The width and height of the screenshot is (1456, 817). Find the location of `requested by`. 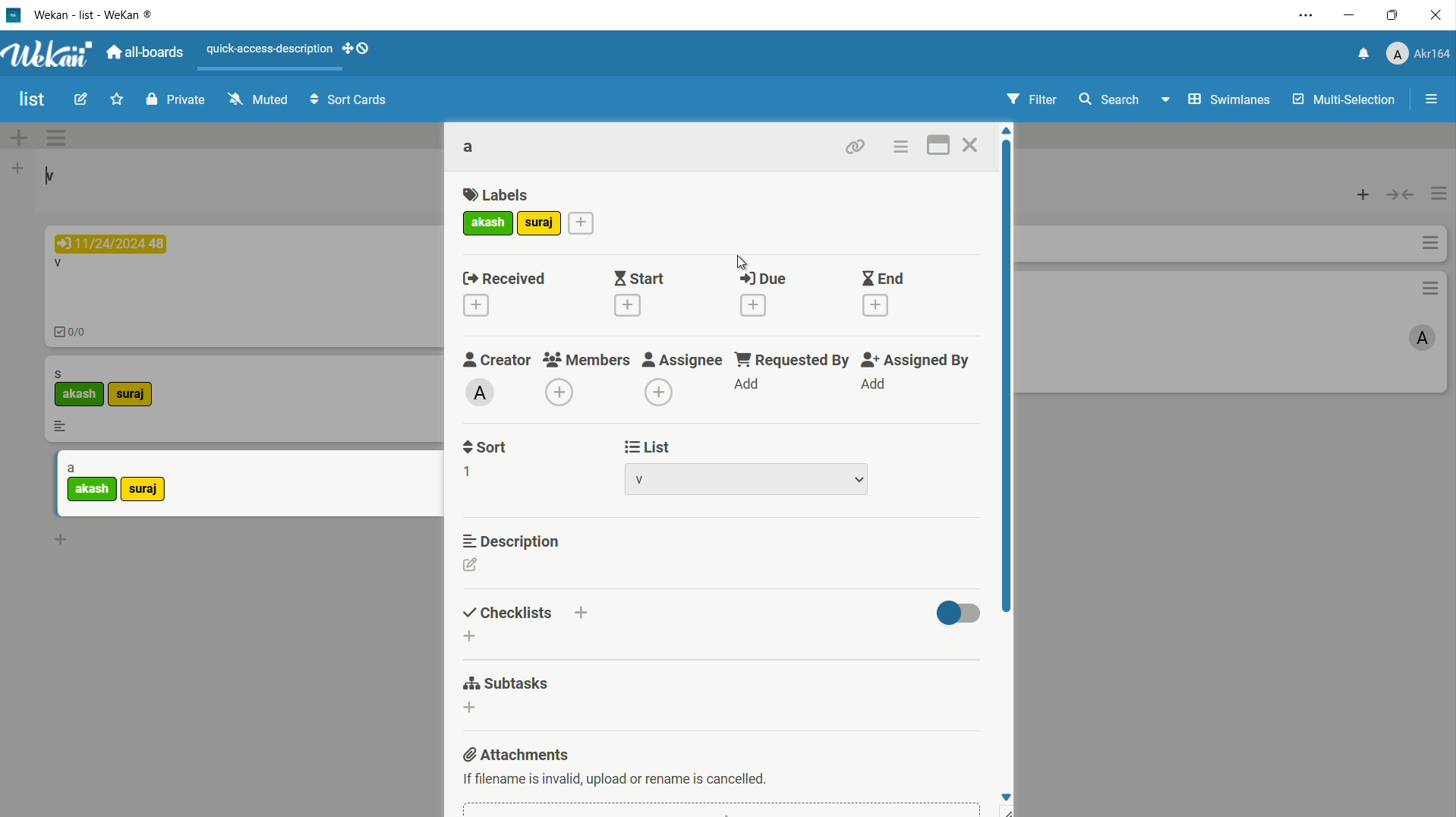

requested by is located at coordinates (793, 359).